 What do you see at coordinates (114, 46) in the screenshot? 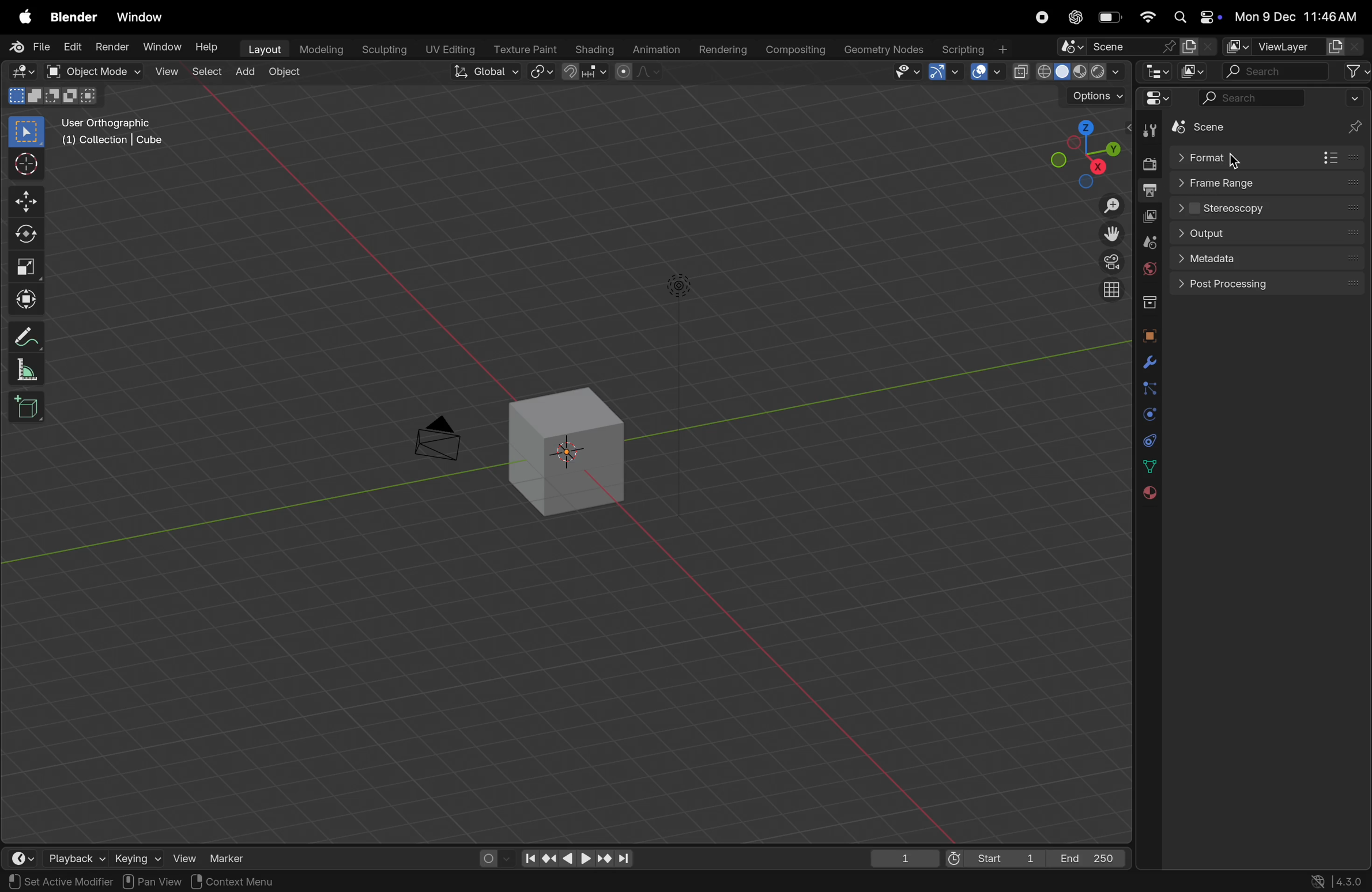
I see `Render` at bounding box center [114, 46].